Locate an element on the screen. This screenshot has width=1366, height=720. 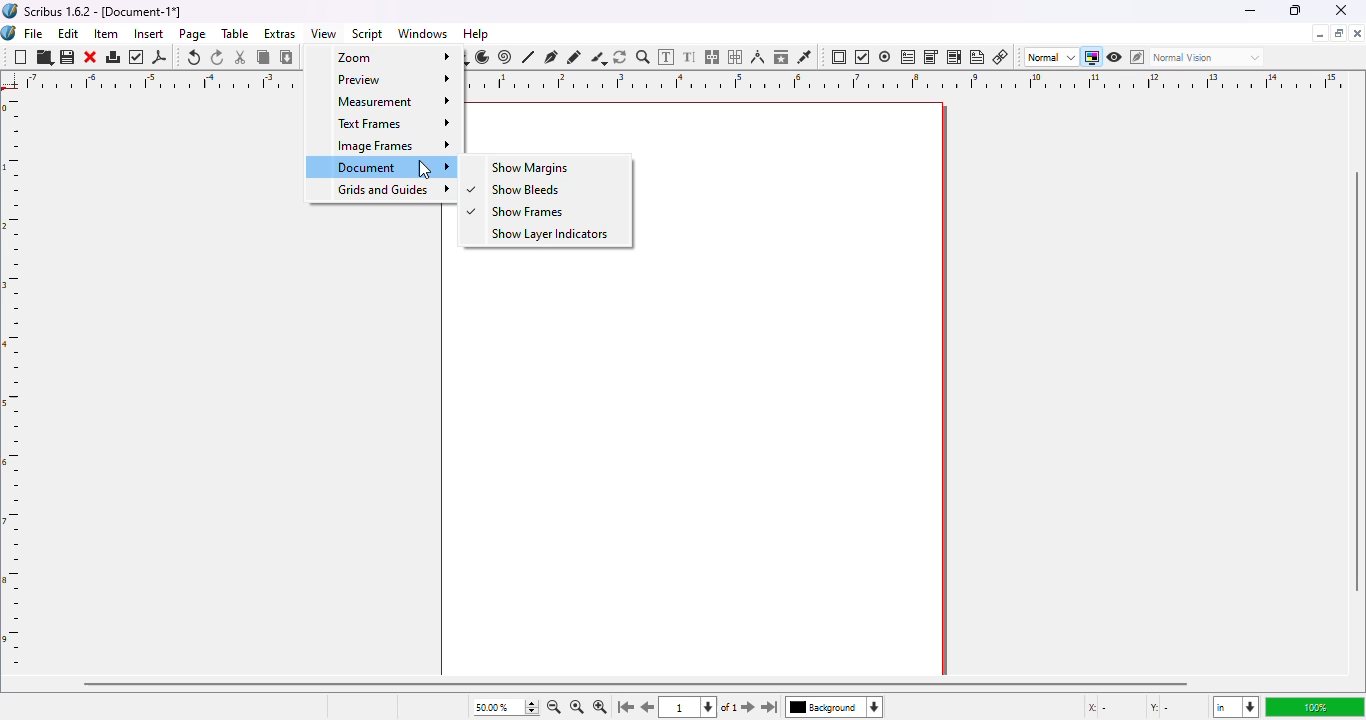
close is located at coordinates (1357, 33).